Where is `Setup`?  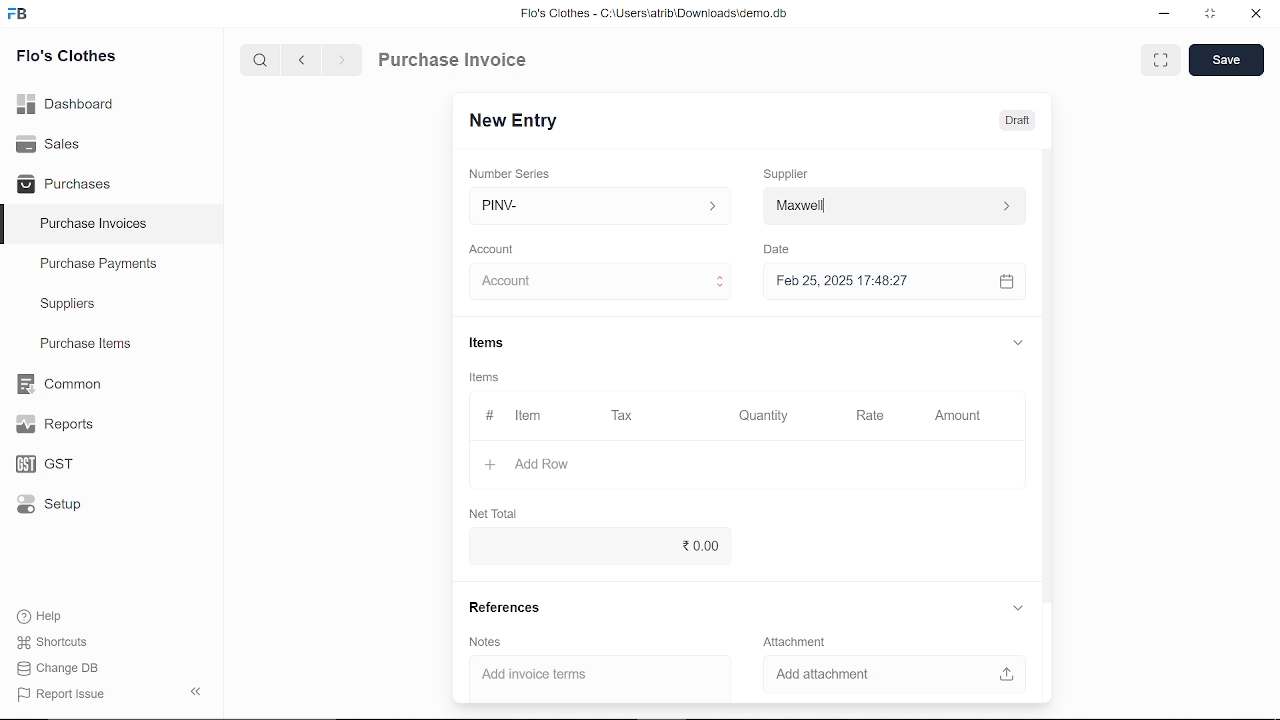 Setup is located at coordinates (44, 508).